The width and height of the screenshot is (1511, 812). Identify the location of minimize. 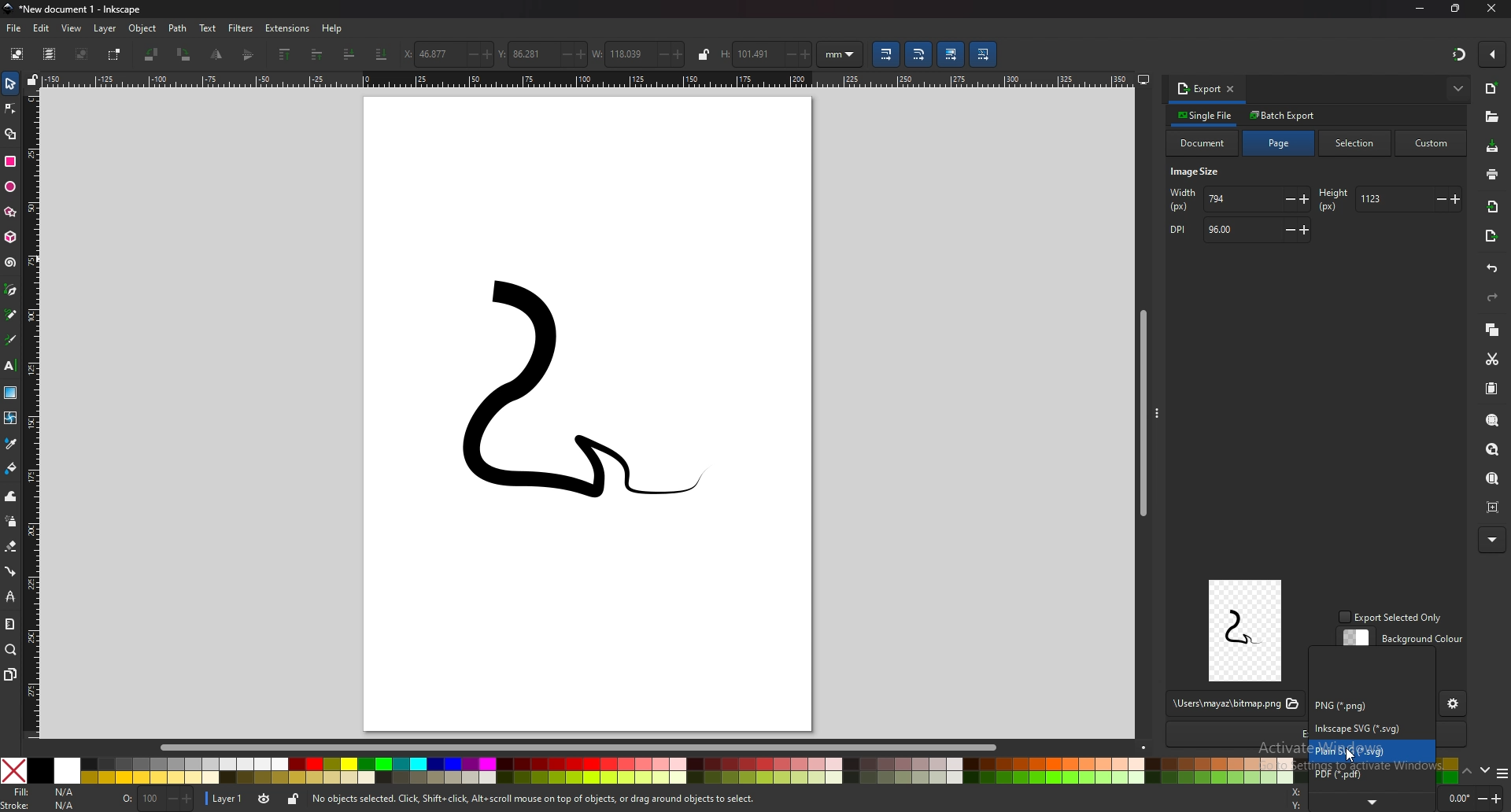
(1418, 9).